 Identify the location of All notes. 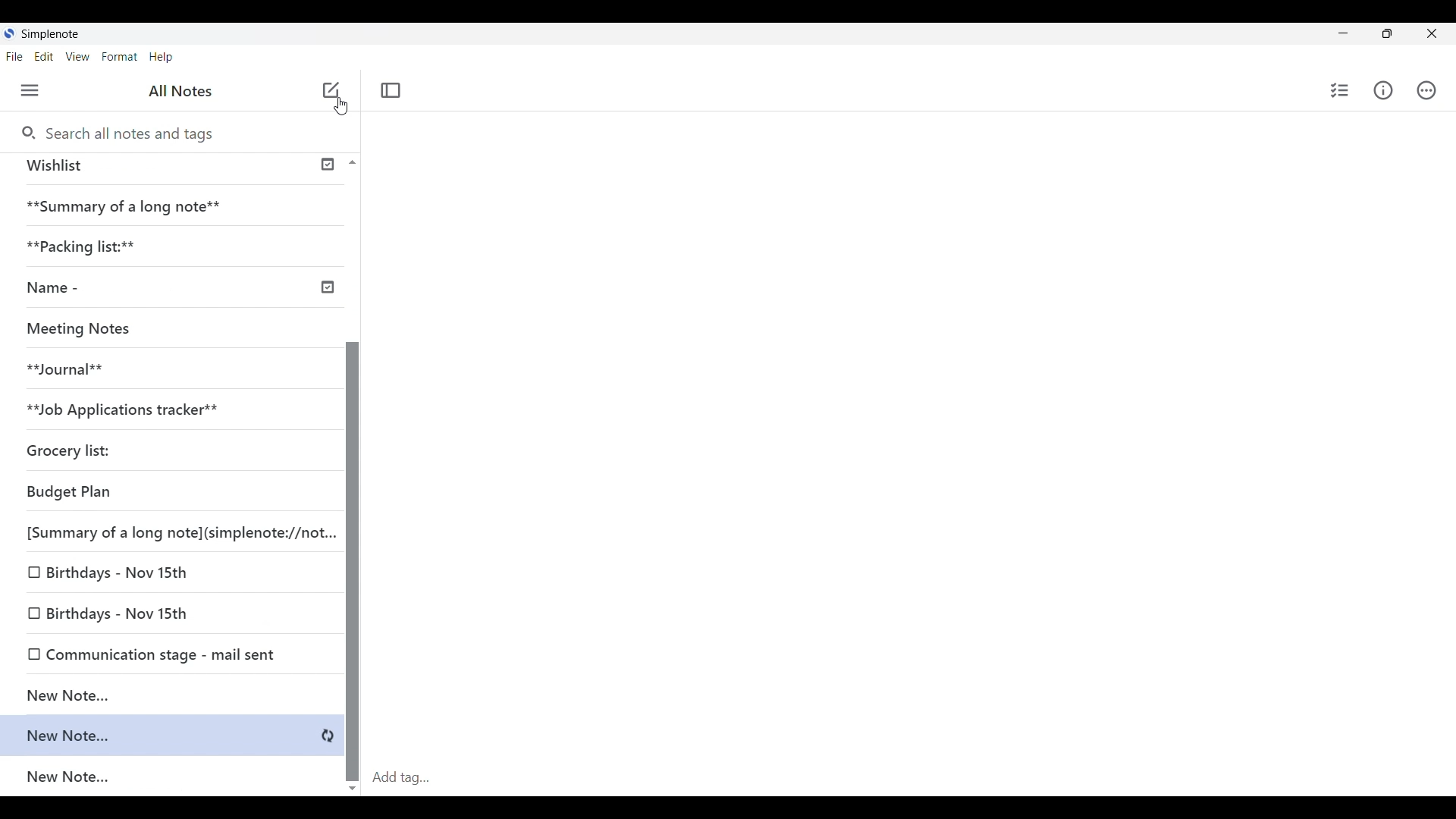
(184, 91).